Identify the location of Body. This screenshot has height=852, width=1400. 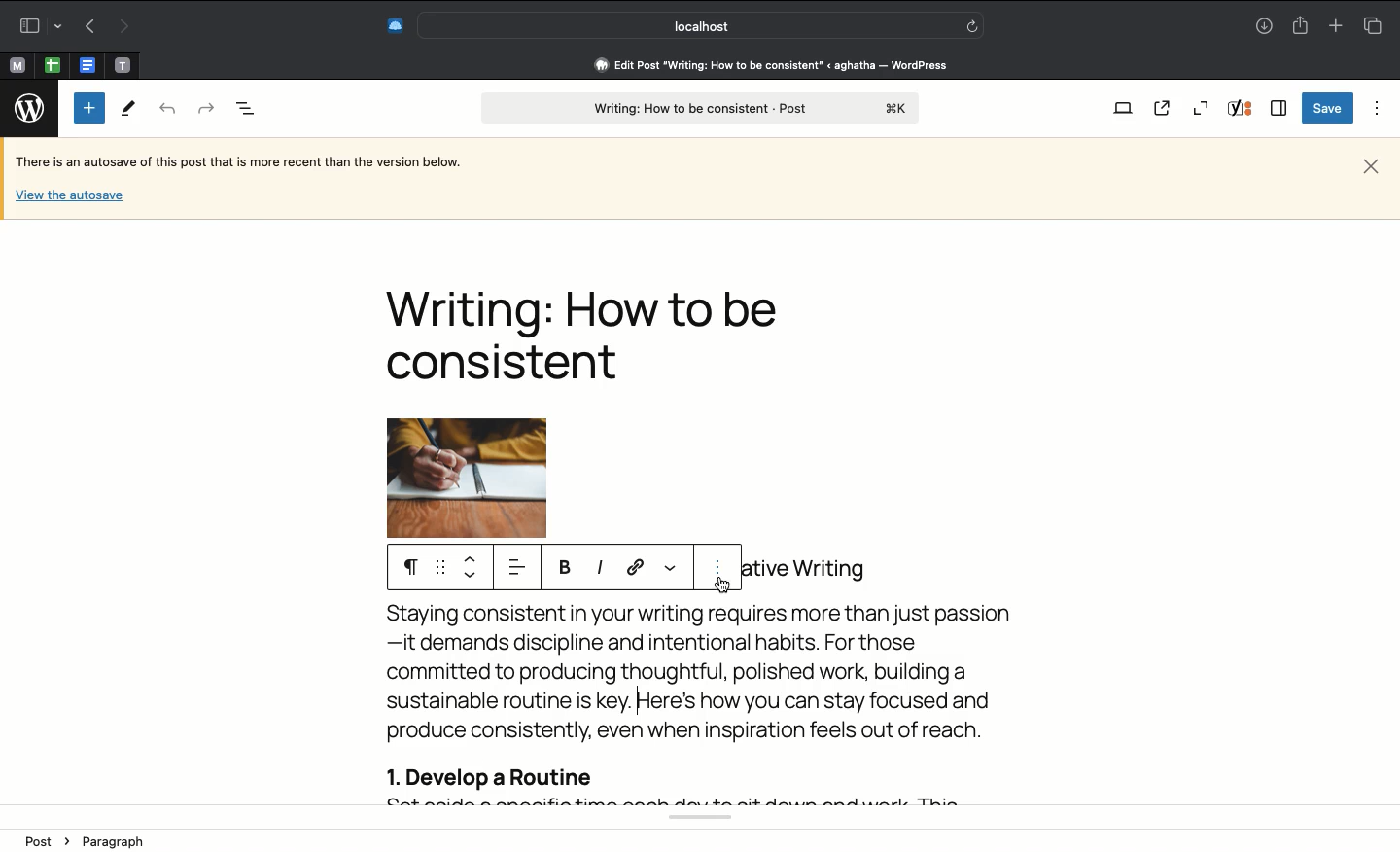
(701, 706).